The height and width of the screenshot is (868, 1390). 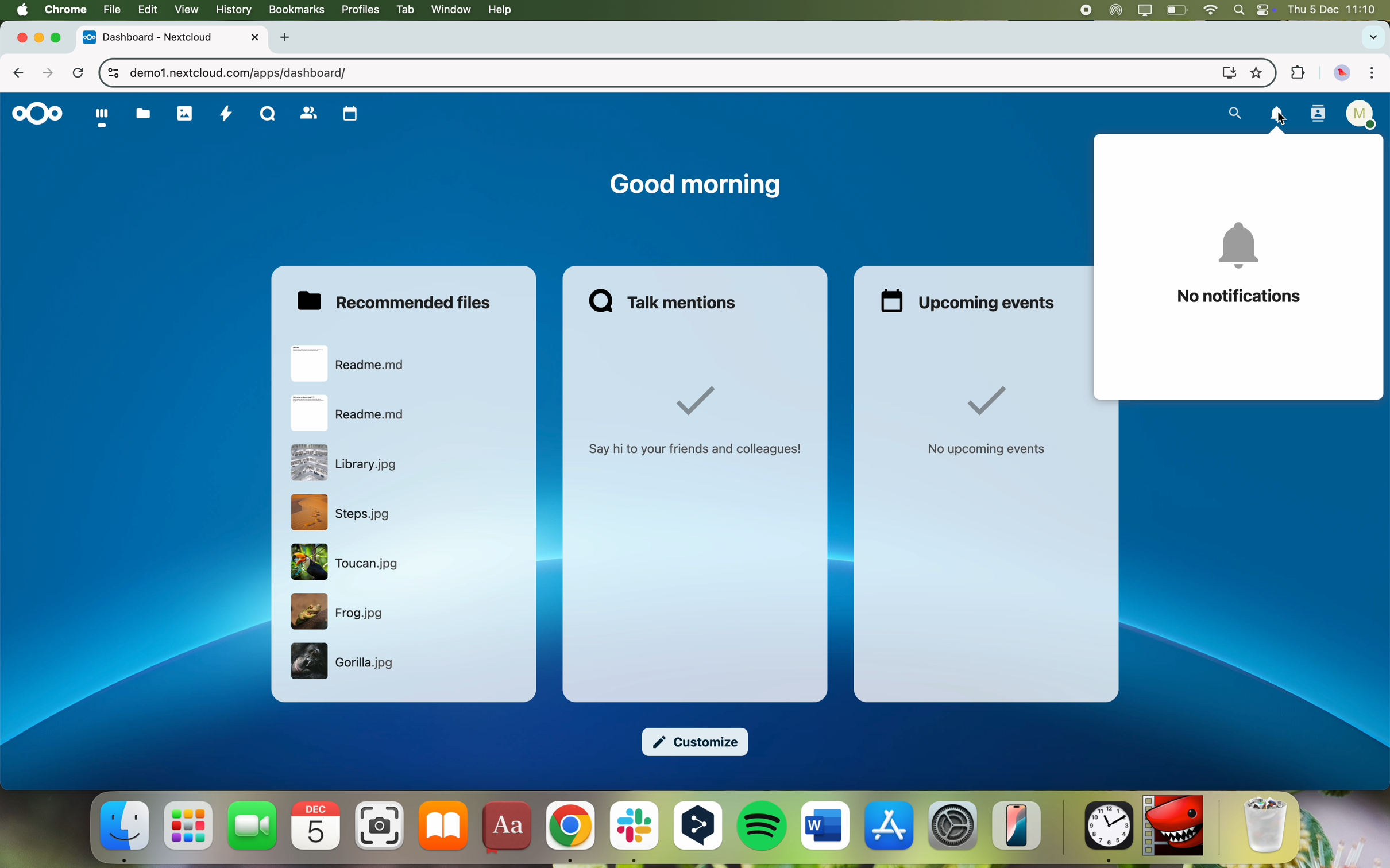 What do you see at coordinates (398, 300) in the screenshot?
I see `recommended files` at bounding box center [398, 300].